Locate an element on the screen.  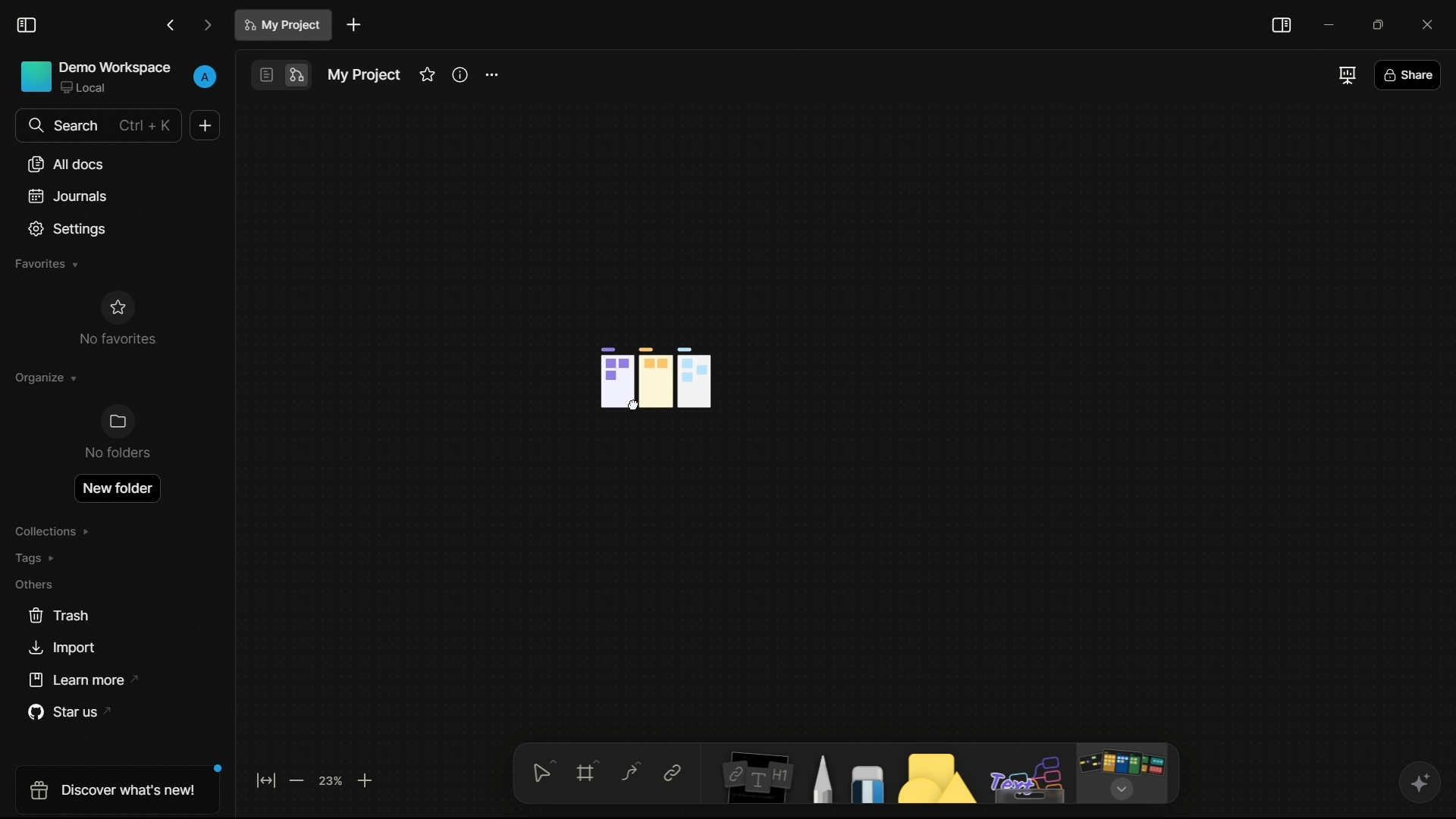
others is located at coordinates (1029, 780).